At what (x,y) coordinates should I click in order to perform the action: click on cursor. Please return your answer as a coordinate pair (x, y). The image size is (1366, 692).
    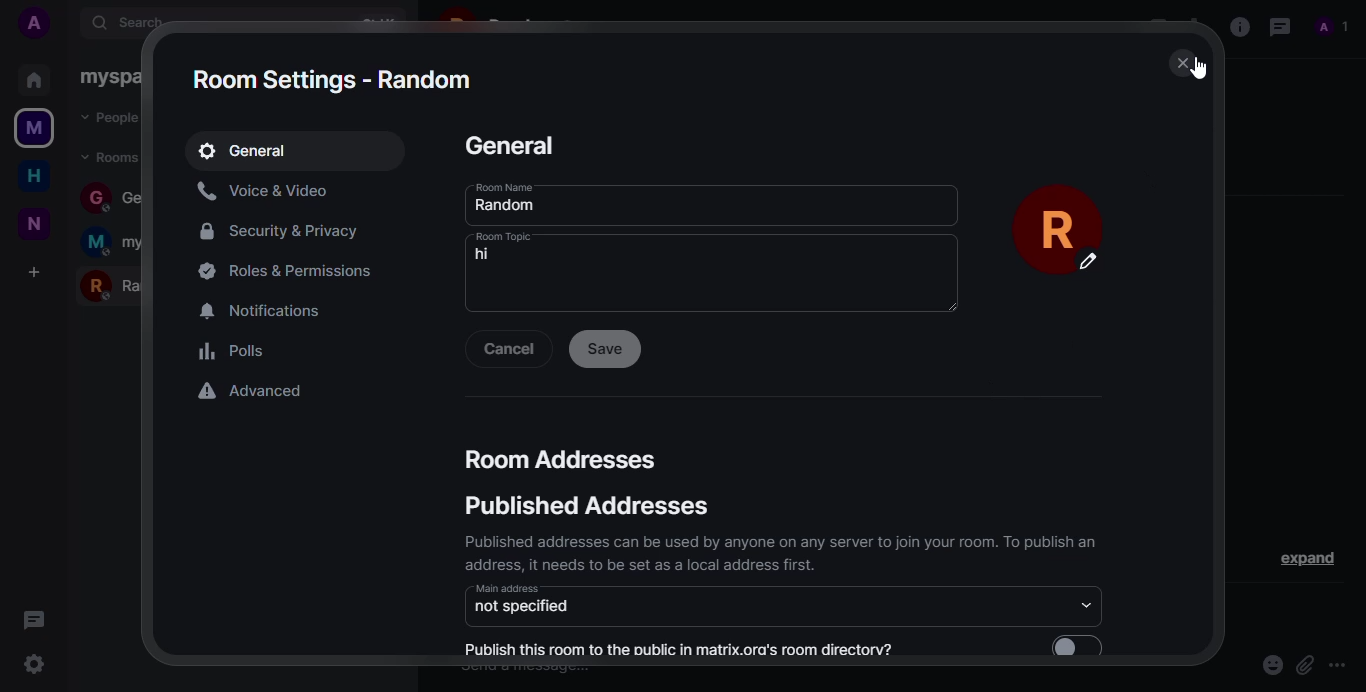
    Looking at the image, I should click on (1199, 69).